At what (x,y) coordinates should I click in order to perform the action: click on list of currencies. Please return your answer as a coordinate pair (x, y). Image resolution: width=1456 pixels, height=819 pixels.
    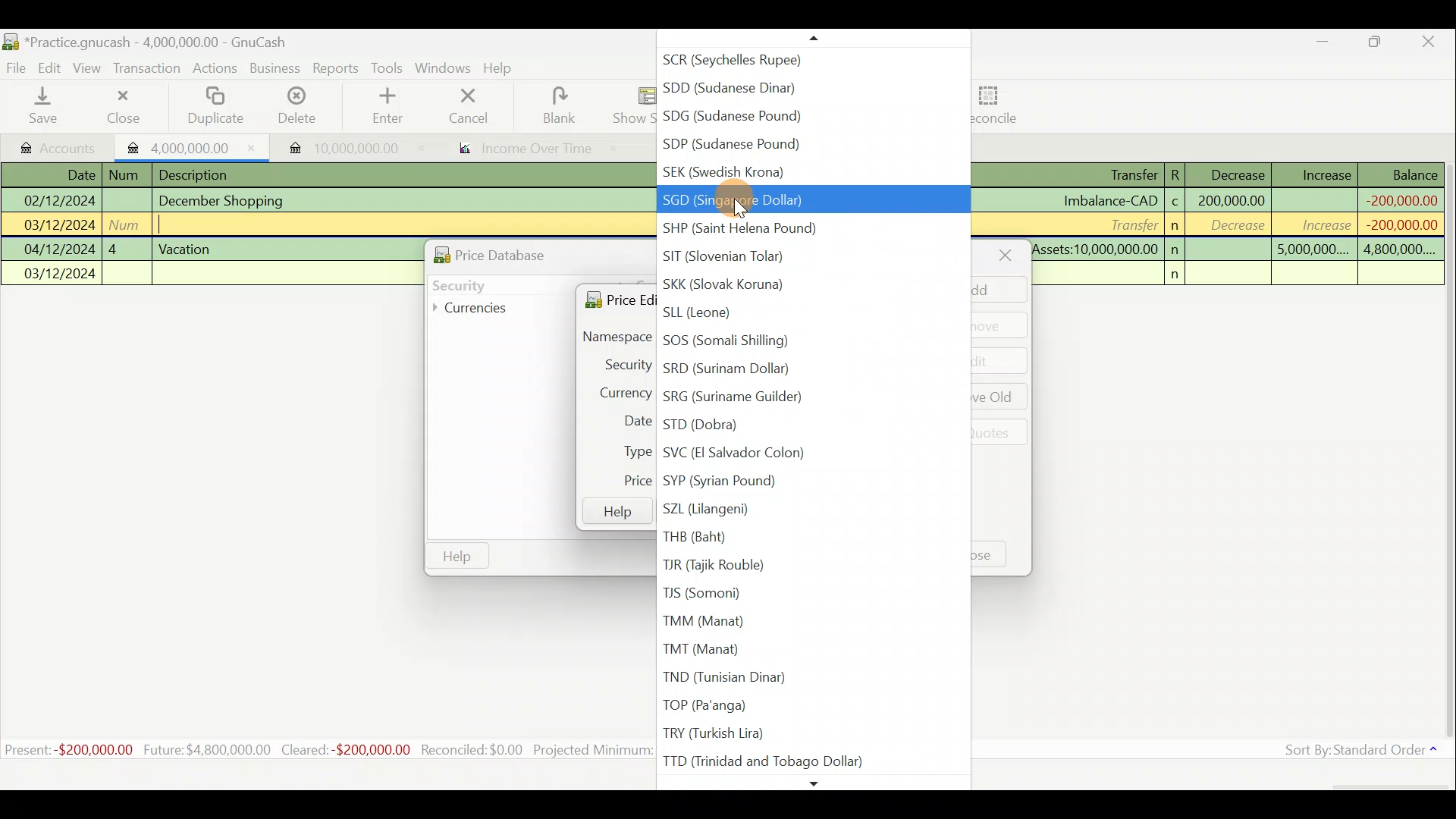
    Looking at the image, I should click on (810, 499).